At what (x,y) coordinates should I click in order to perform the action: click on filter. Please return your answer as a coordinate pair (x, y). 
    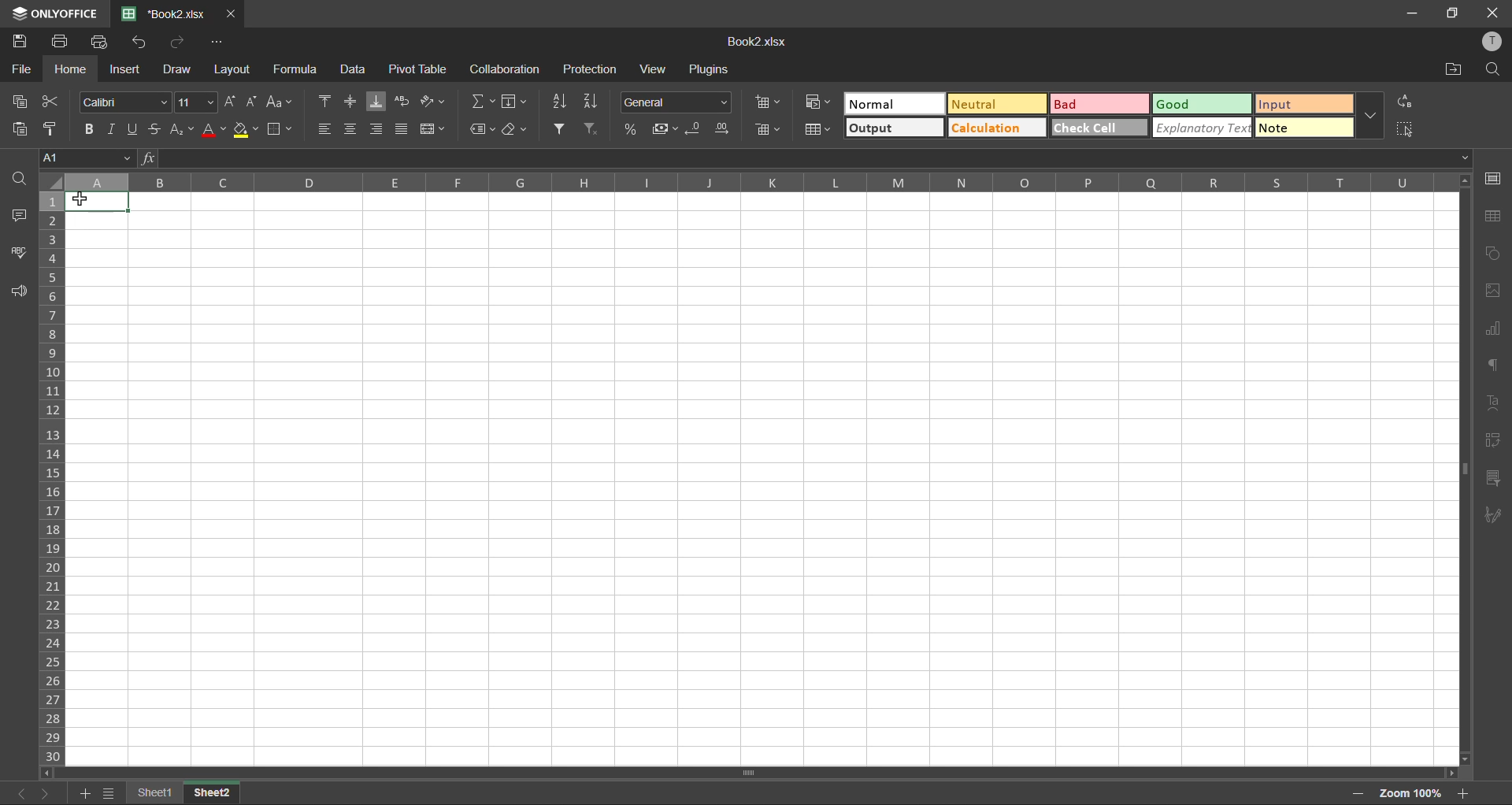
    Looking at the image, I should click on (561, 129).